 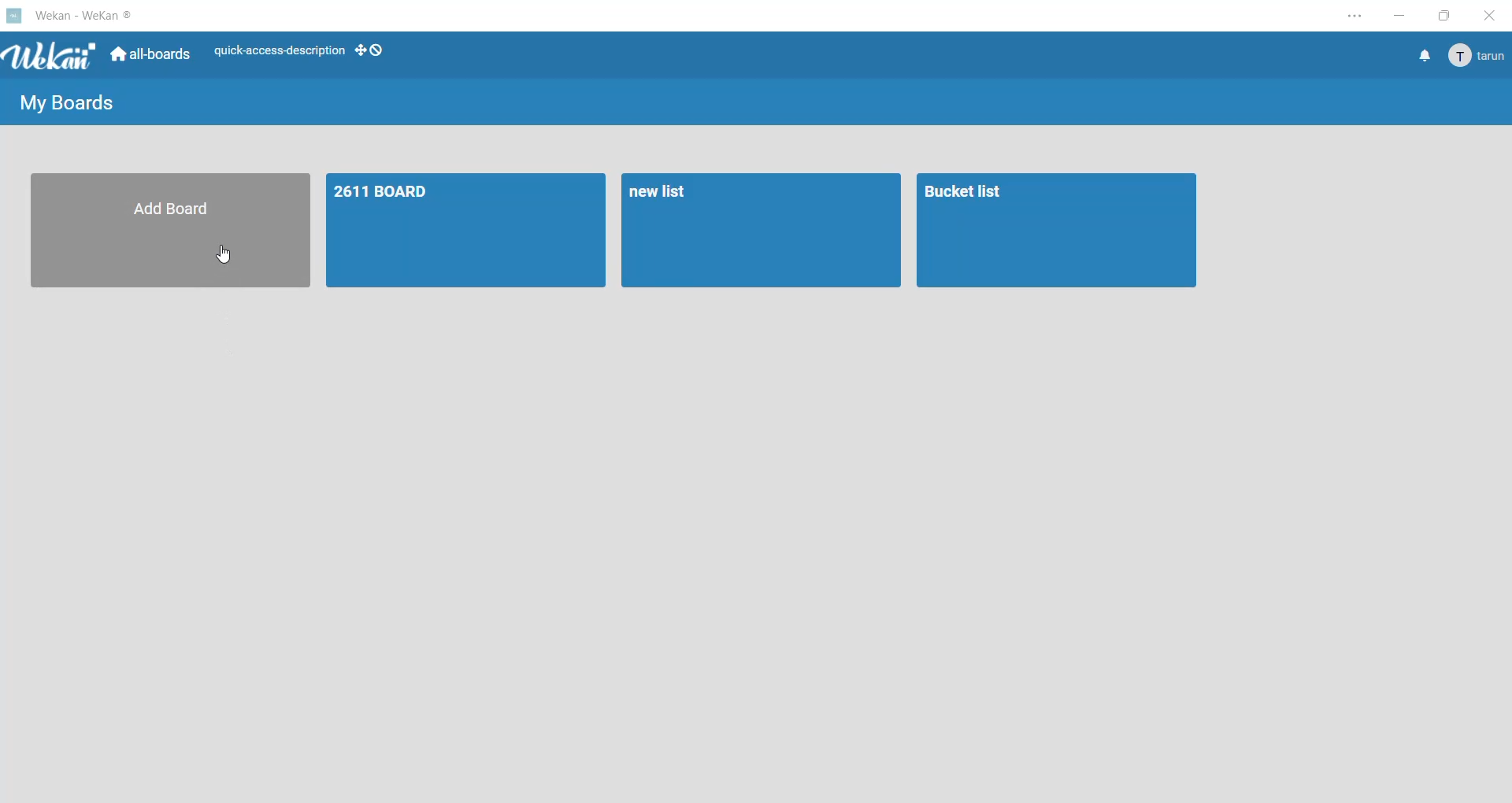 What do you see at coordinates (1494, 15) in the screenshot?
I see `close` at bounding box center [1494, 15].